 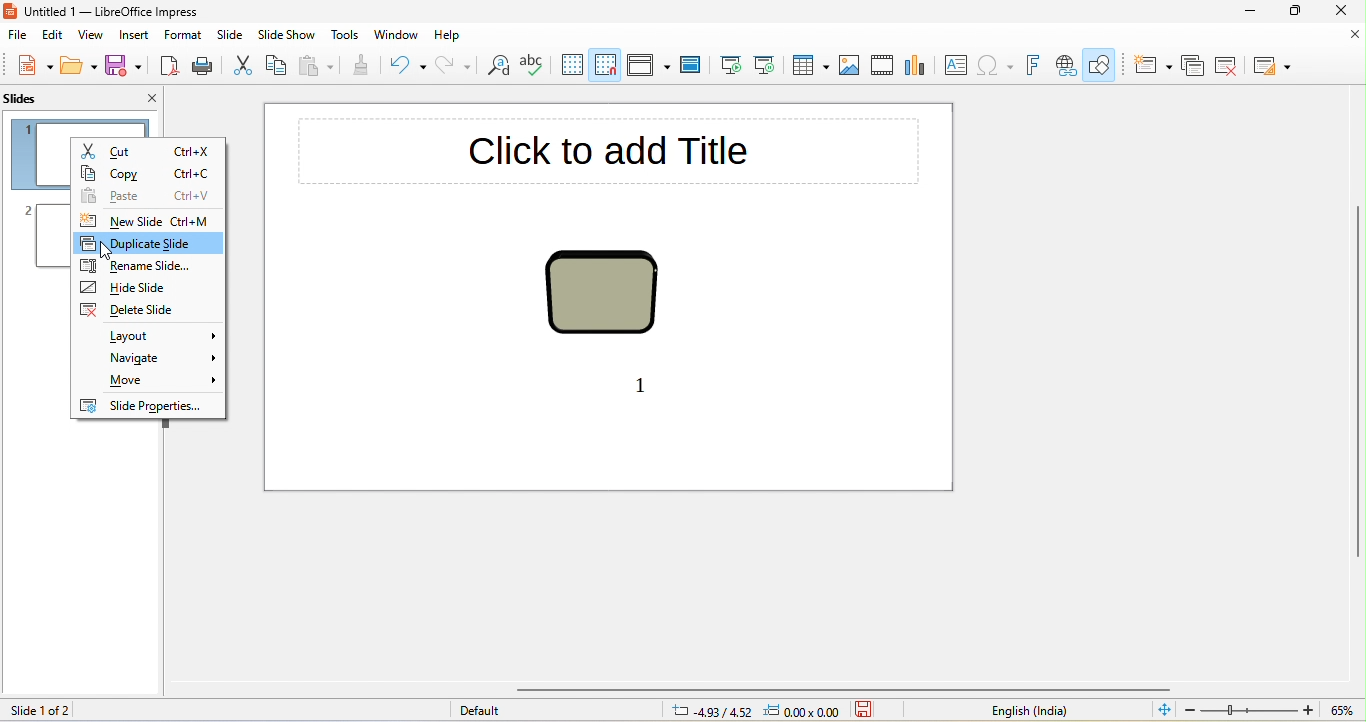 I want to click on delete slide, so click(x=134, y=311).